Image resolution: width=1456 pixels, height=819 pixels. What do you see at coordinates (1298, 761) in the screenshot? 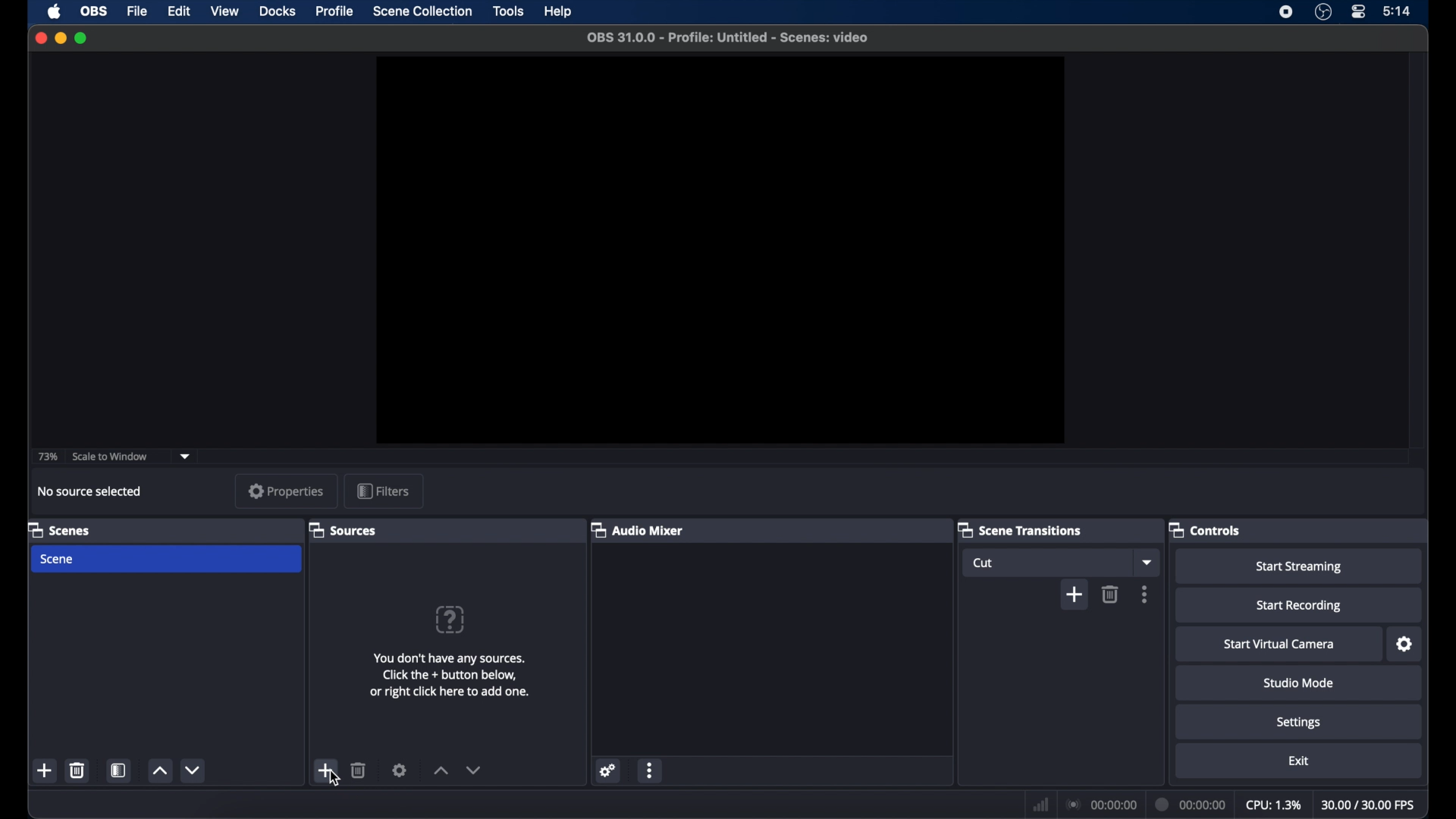
I see `exit` at bounding box center [1298, 761].